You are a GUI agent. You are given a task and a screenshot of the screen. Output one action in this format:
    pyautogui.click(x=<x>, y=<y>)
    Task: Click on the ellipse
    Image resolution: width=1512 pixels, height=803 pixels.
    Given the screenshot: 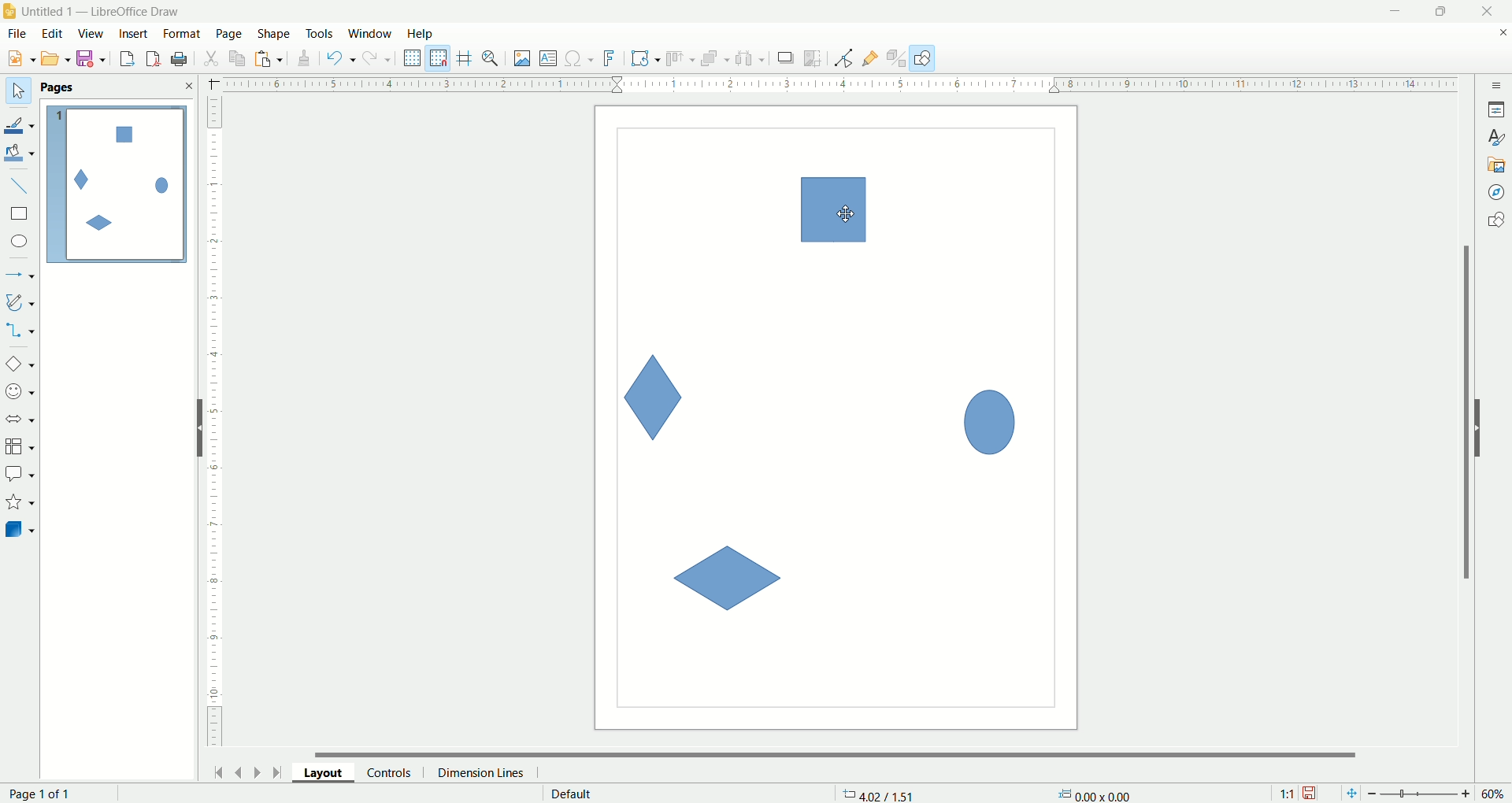 What is the action you would take?
    pyautogui.click(x=21, y=243)
    